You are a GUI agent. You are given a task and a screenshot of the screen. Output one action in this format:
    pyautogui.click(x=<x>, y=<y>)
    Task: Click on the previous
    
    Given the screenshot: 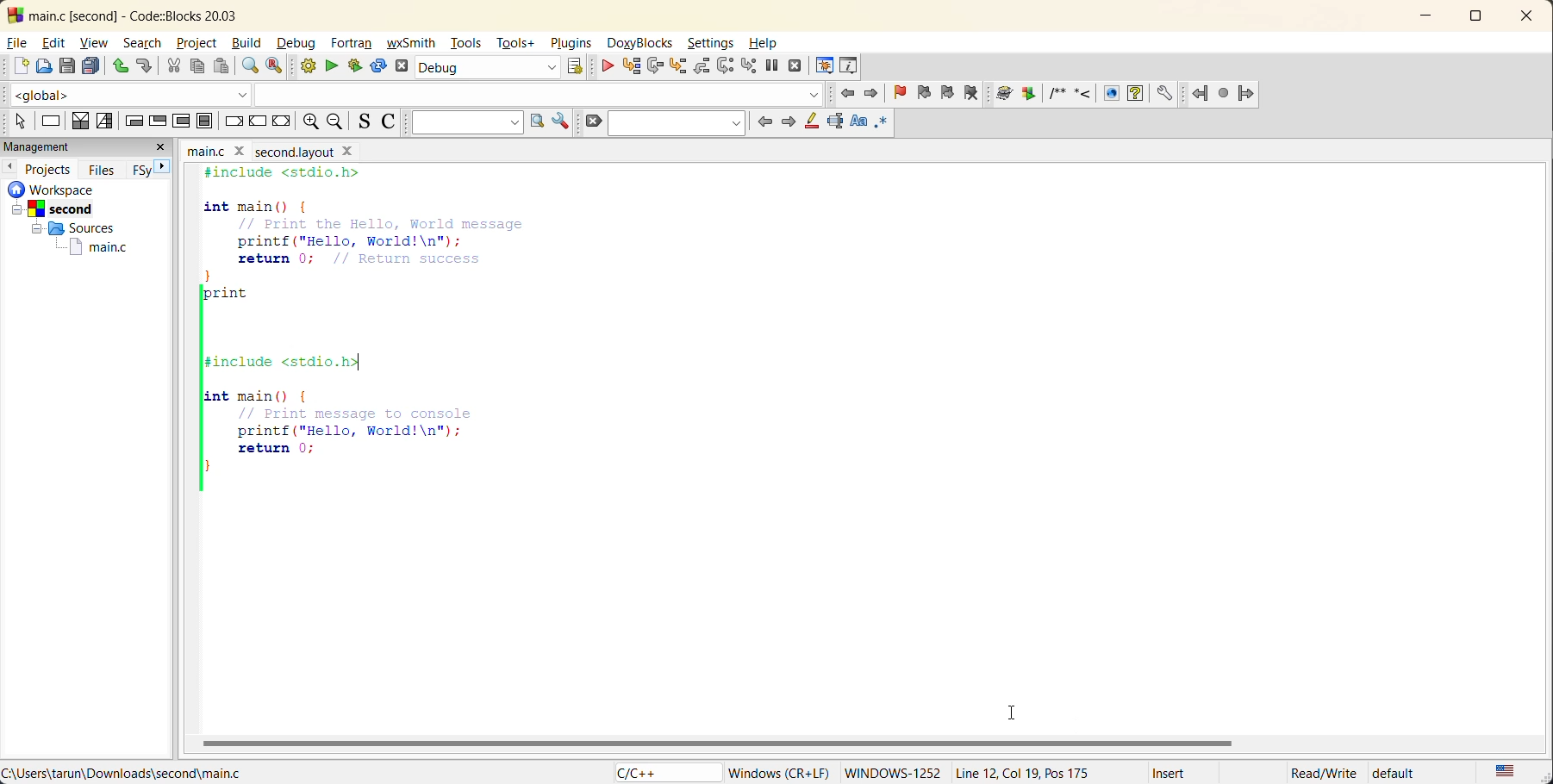 What is the action you would take?
    pyautogui.click(x=761, y=121)
    